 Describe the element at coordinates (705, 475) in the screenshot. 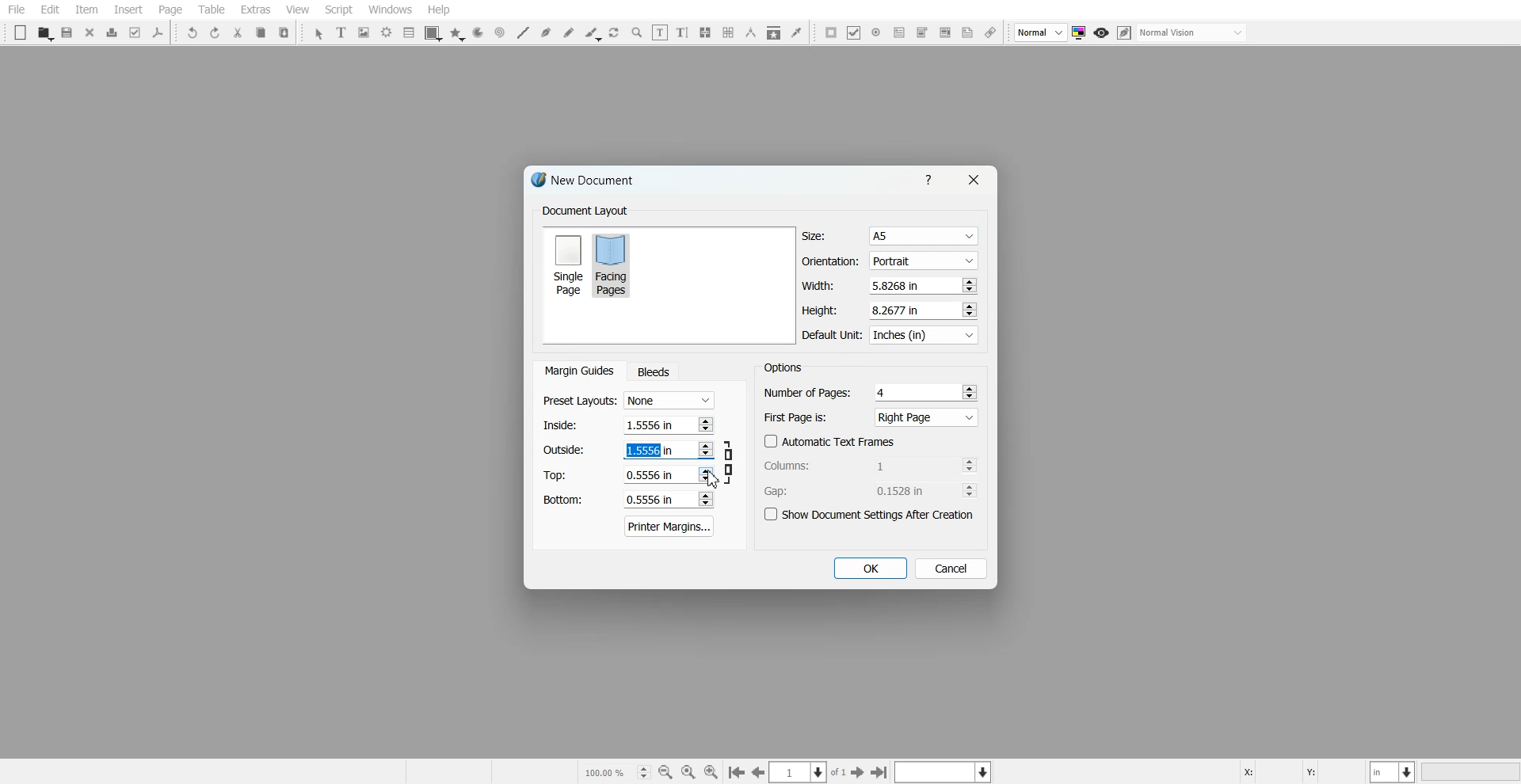

I see `Increase and decrease No. ` at that location.